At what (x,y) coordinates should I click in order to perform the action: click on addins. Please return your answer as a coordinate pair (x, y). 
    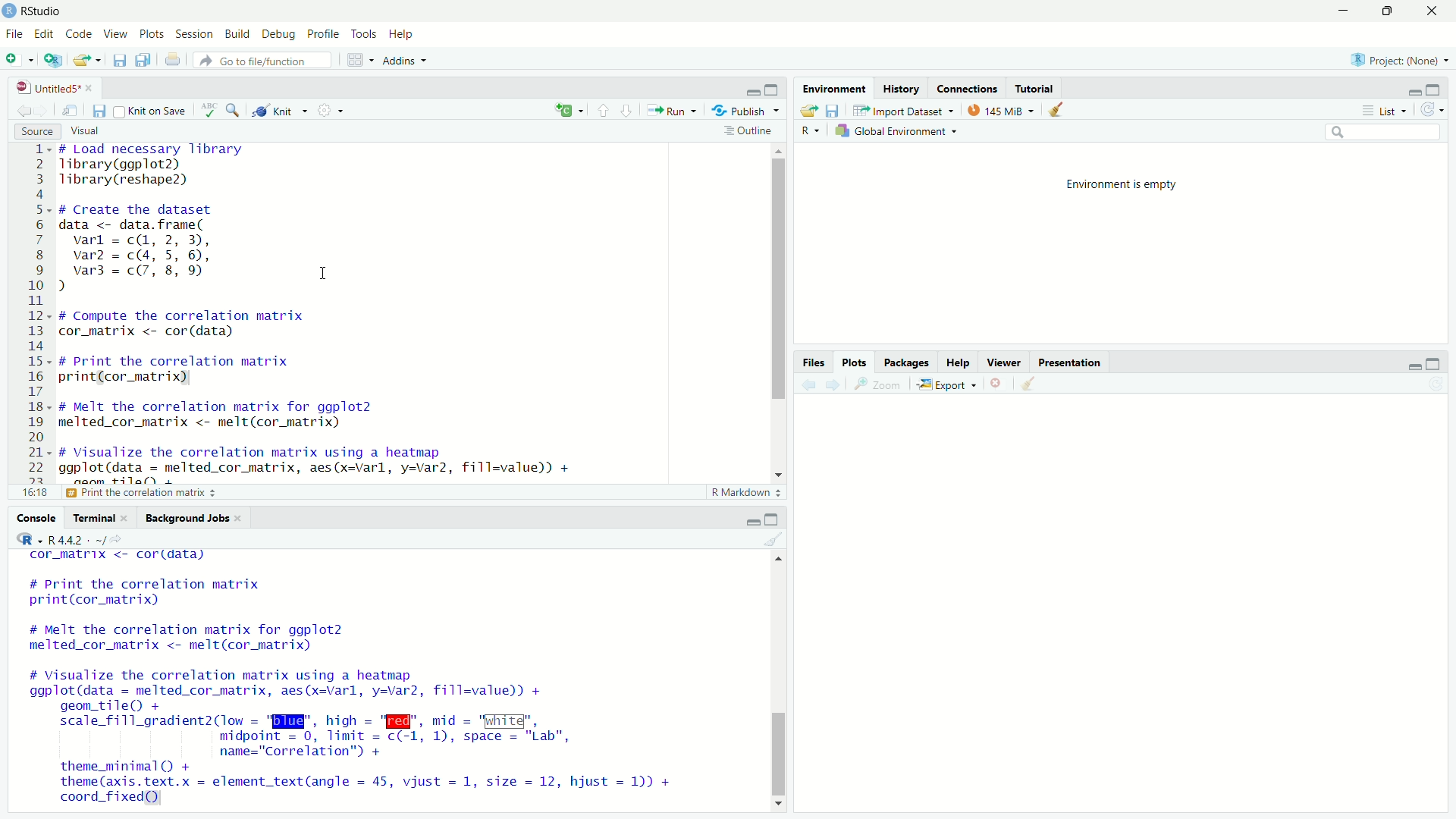
    Looking at the image, I should click on (405, 60).